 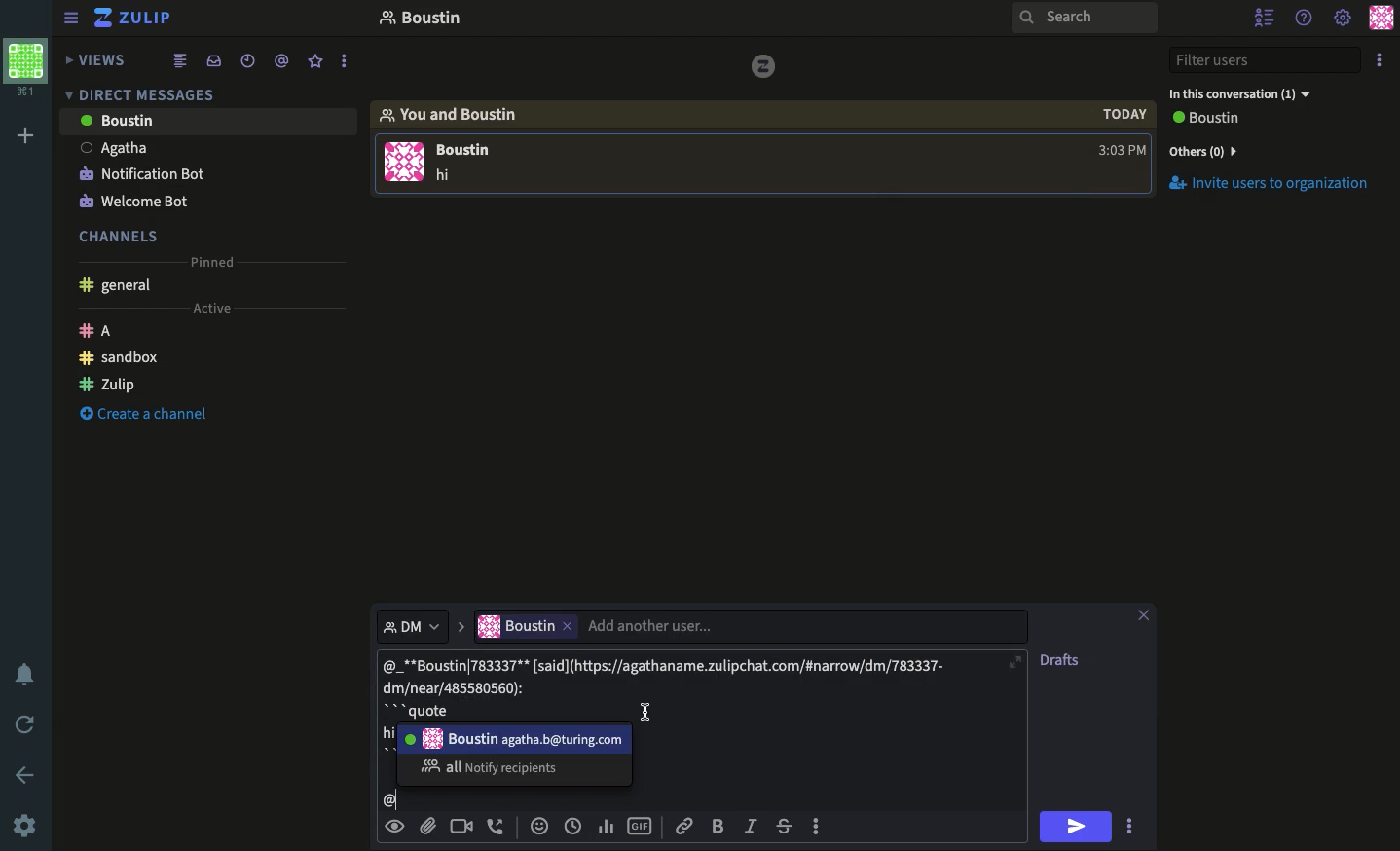 I want to click on Tagged, so click(x=281, y=61).